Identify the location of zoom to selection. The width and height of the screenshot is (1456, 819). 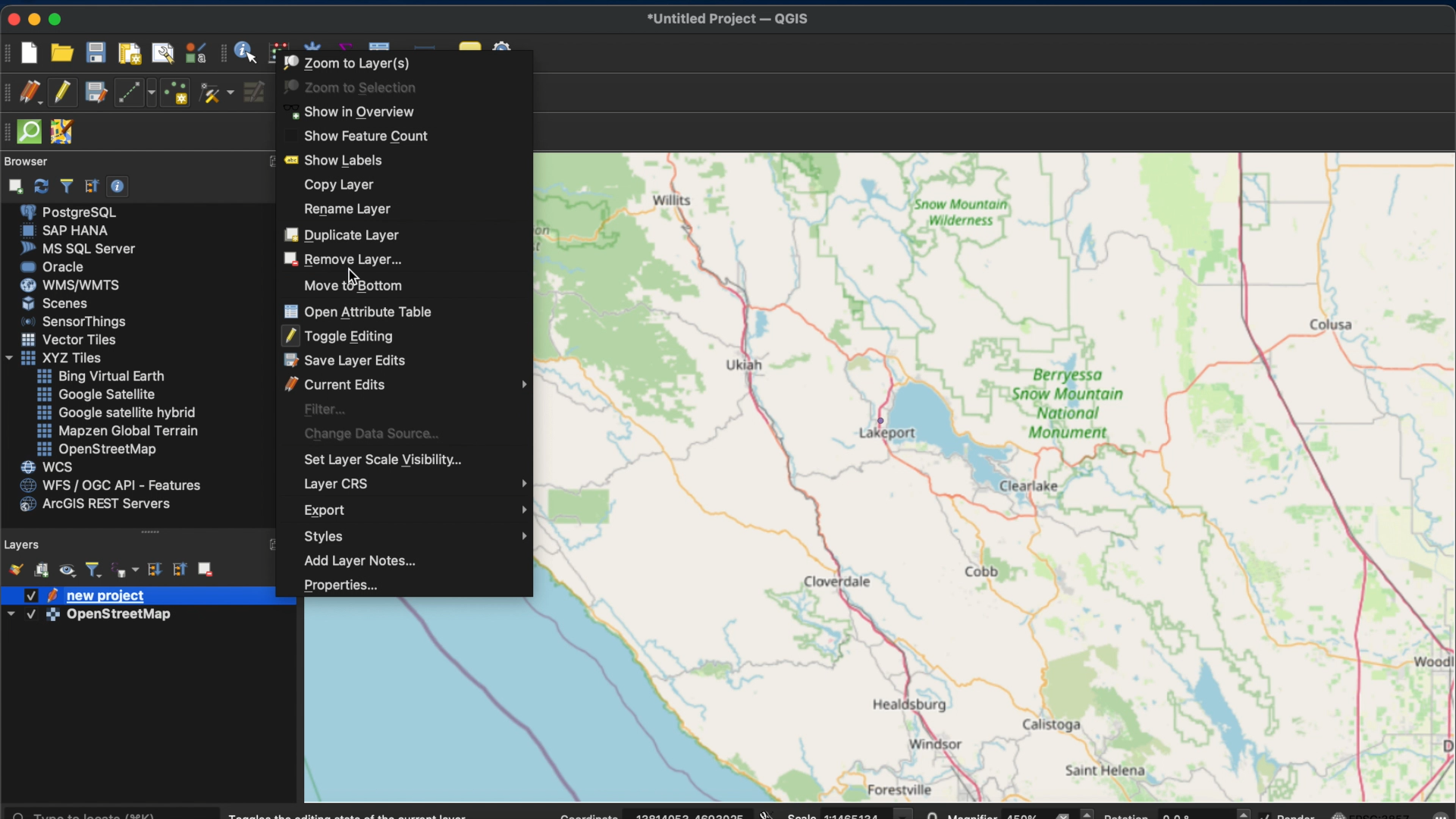
(349, 86).